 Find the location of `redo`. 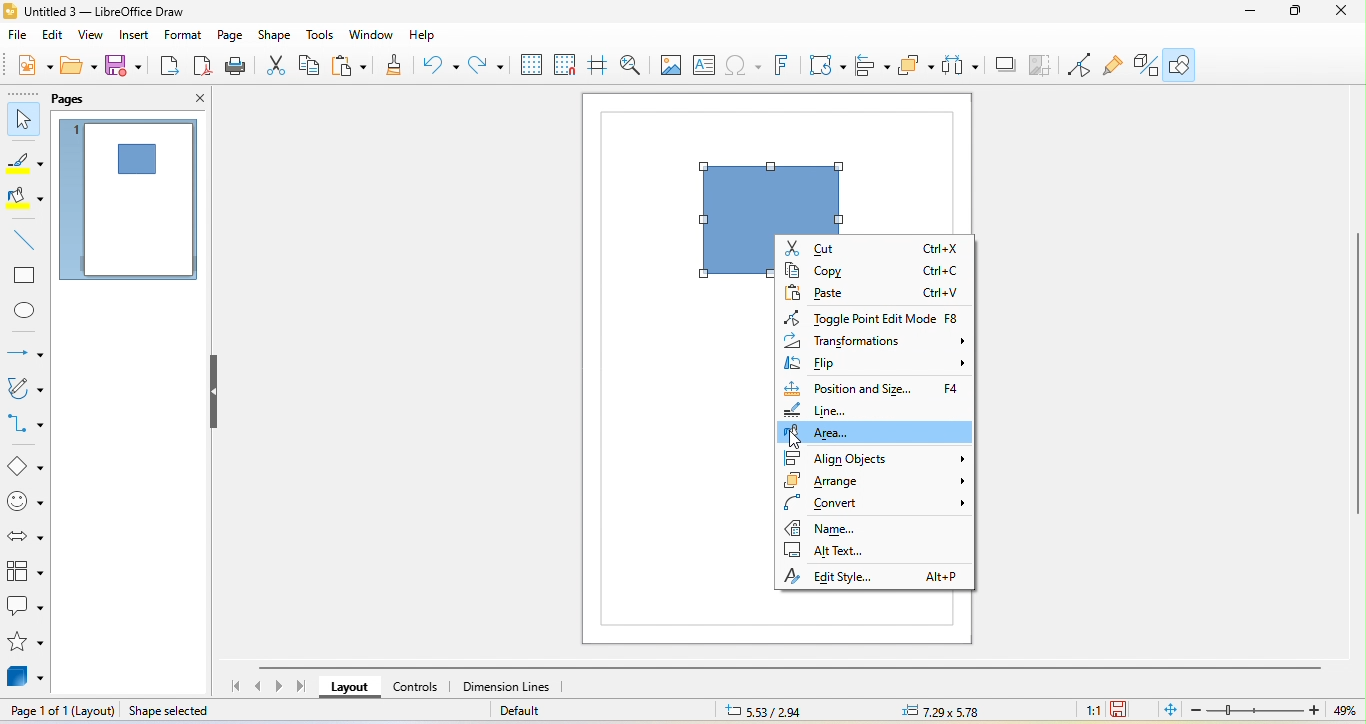

redo is located at coordinates (487, 67).